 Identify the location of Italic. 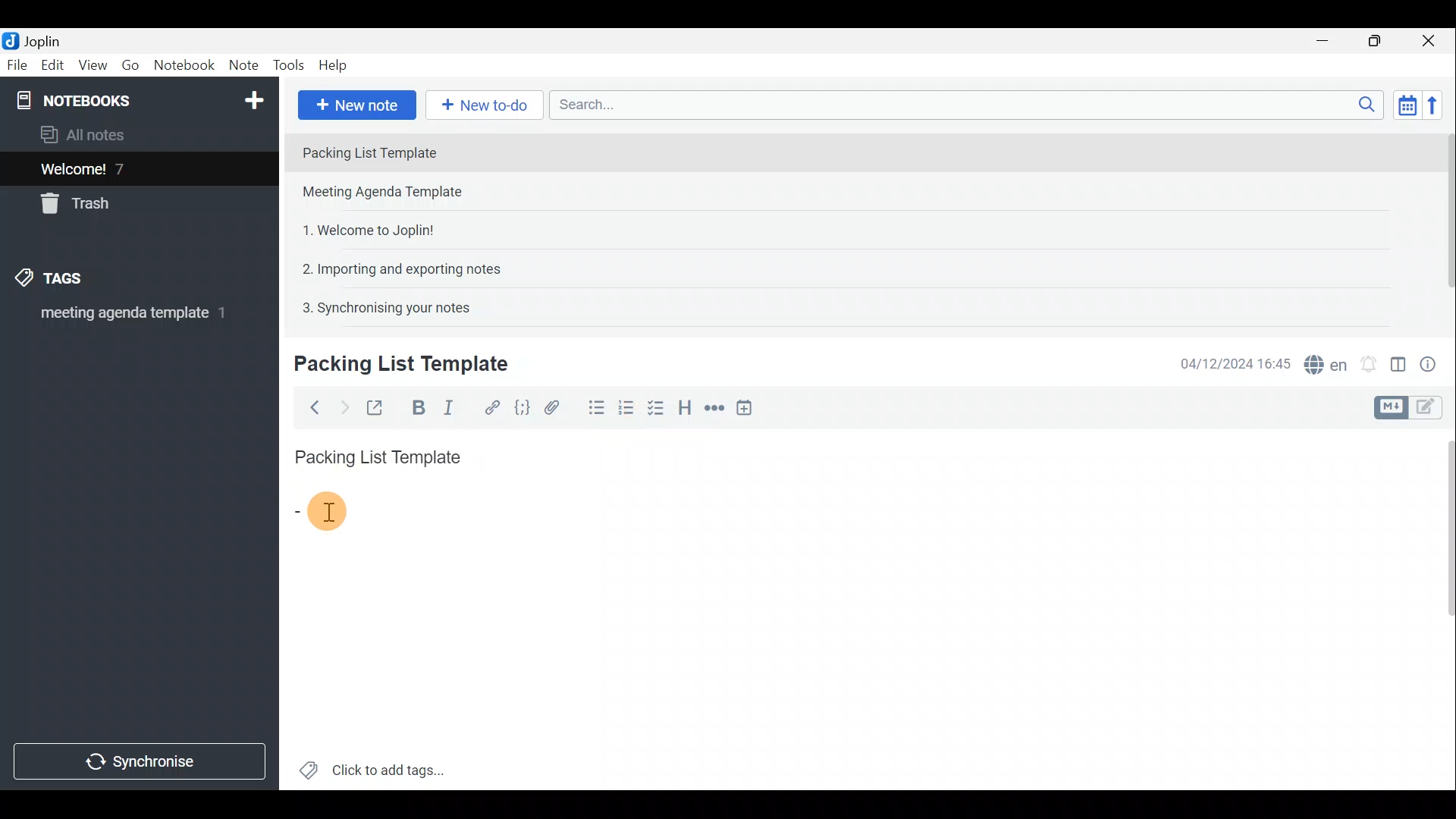
(454, 407).